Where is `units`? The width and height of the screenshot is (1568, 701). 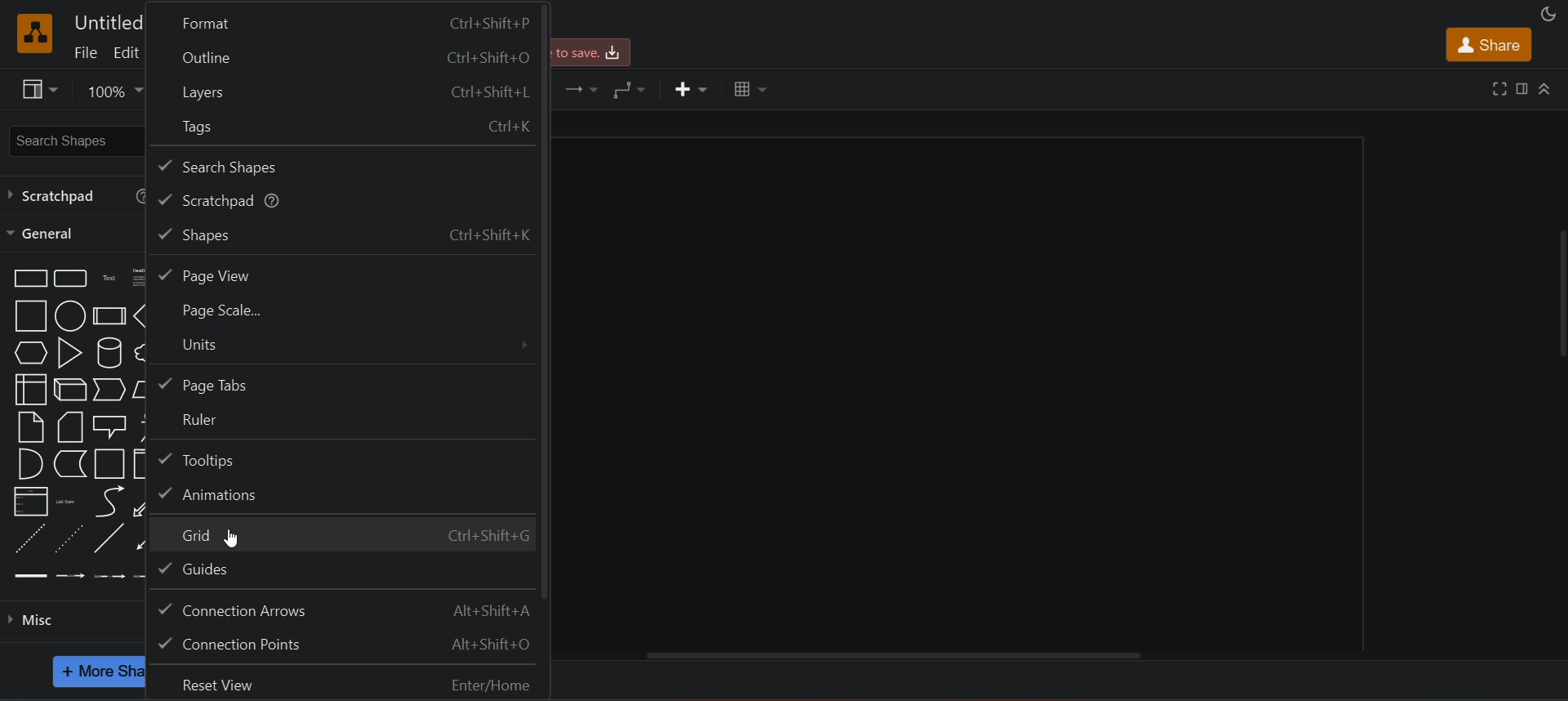 units is located at coordinates (346, 347).